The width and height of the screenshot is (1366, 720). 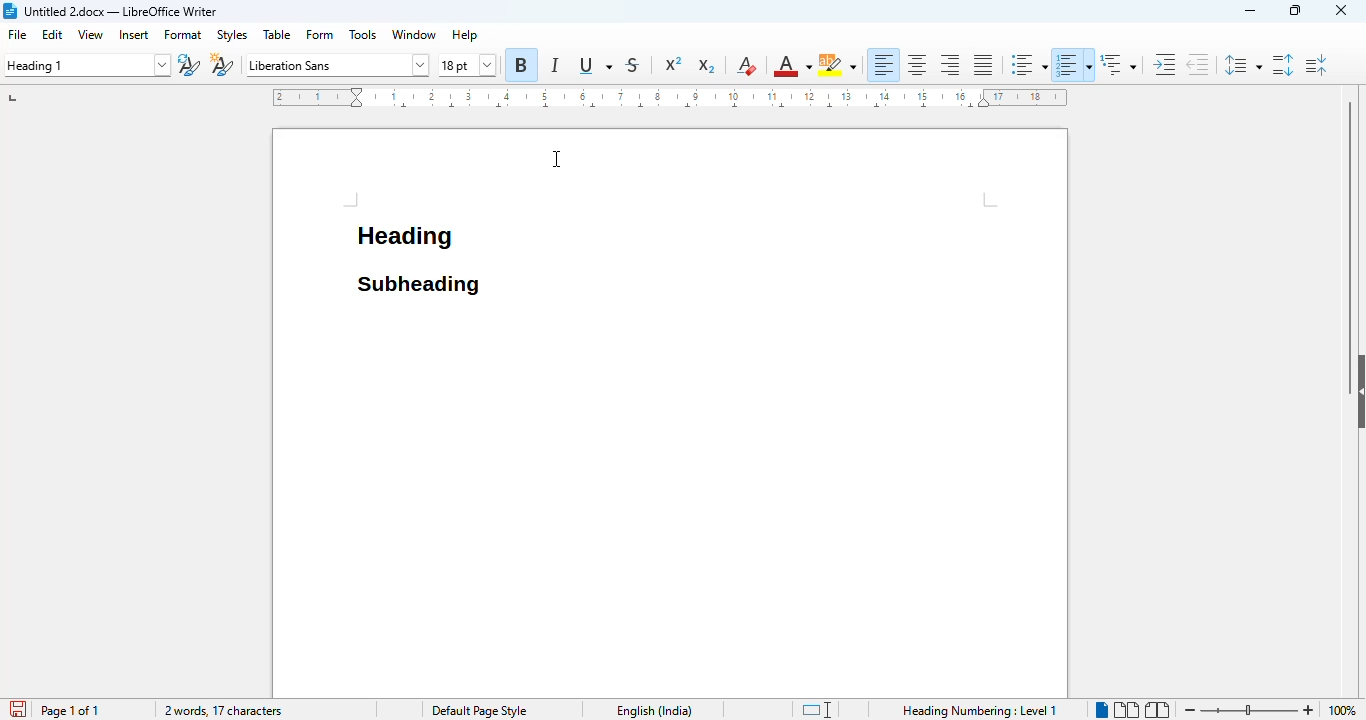 What do you see at coordinates (477, 710) in the screenshot?
I see `page style` at bounding box center [477, 710].